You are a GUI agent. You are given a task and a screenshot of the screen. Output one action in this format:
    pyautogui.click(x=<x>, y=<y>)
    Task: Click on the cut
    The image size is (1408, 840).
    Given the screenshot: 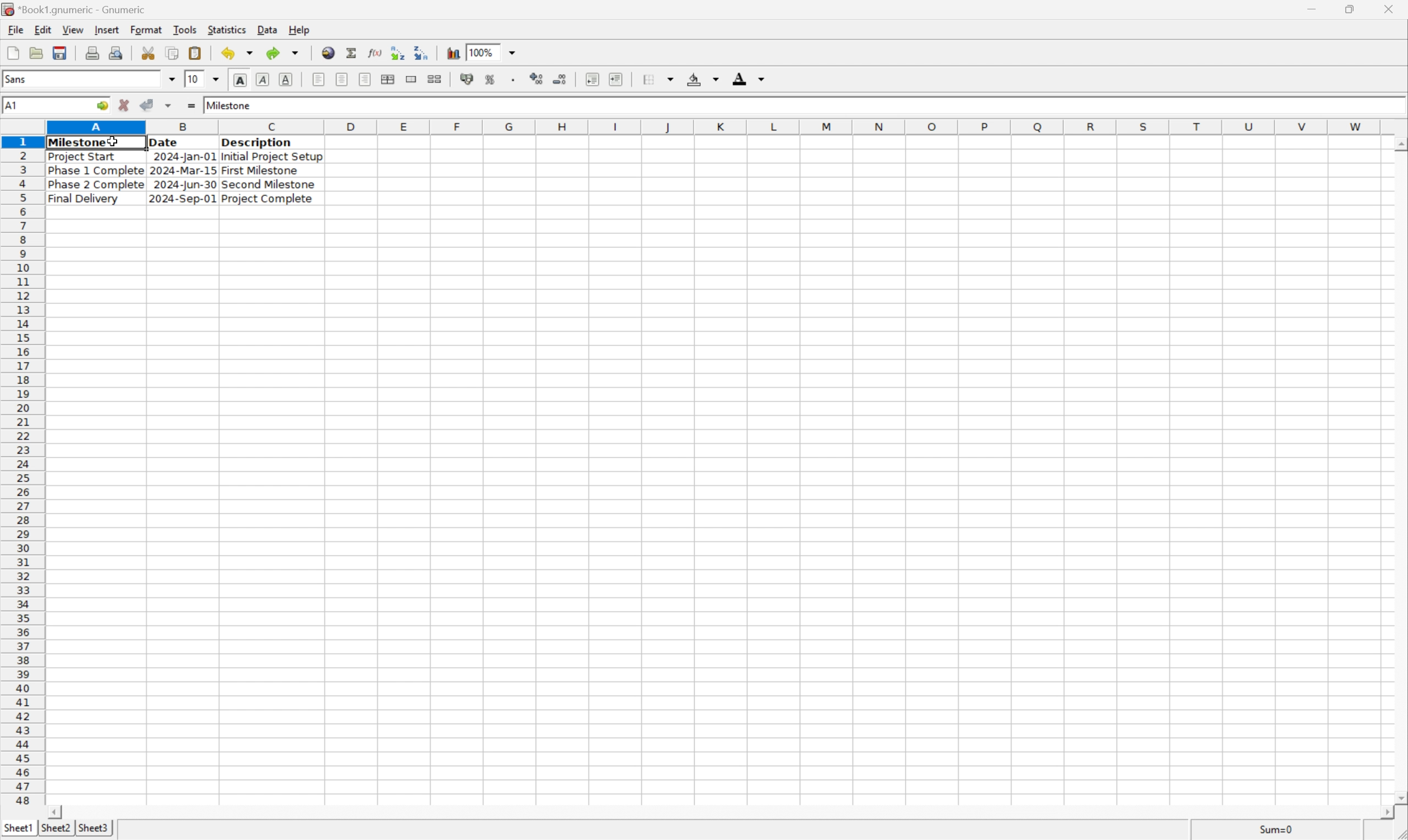 What is the action you would take?
    pyautogui.click(x=149, y=53)
    